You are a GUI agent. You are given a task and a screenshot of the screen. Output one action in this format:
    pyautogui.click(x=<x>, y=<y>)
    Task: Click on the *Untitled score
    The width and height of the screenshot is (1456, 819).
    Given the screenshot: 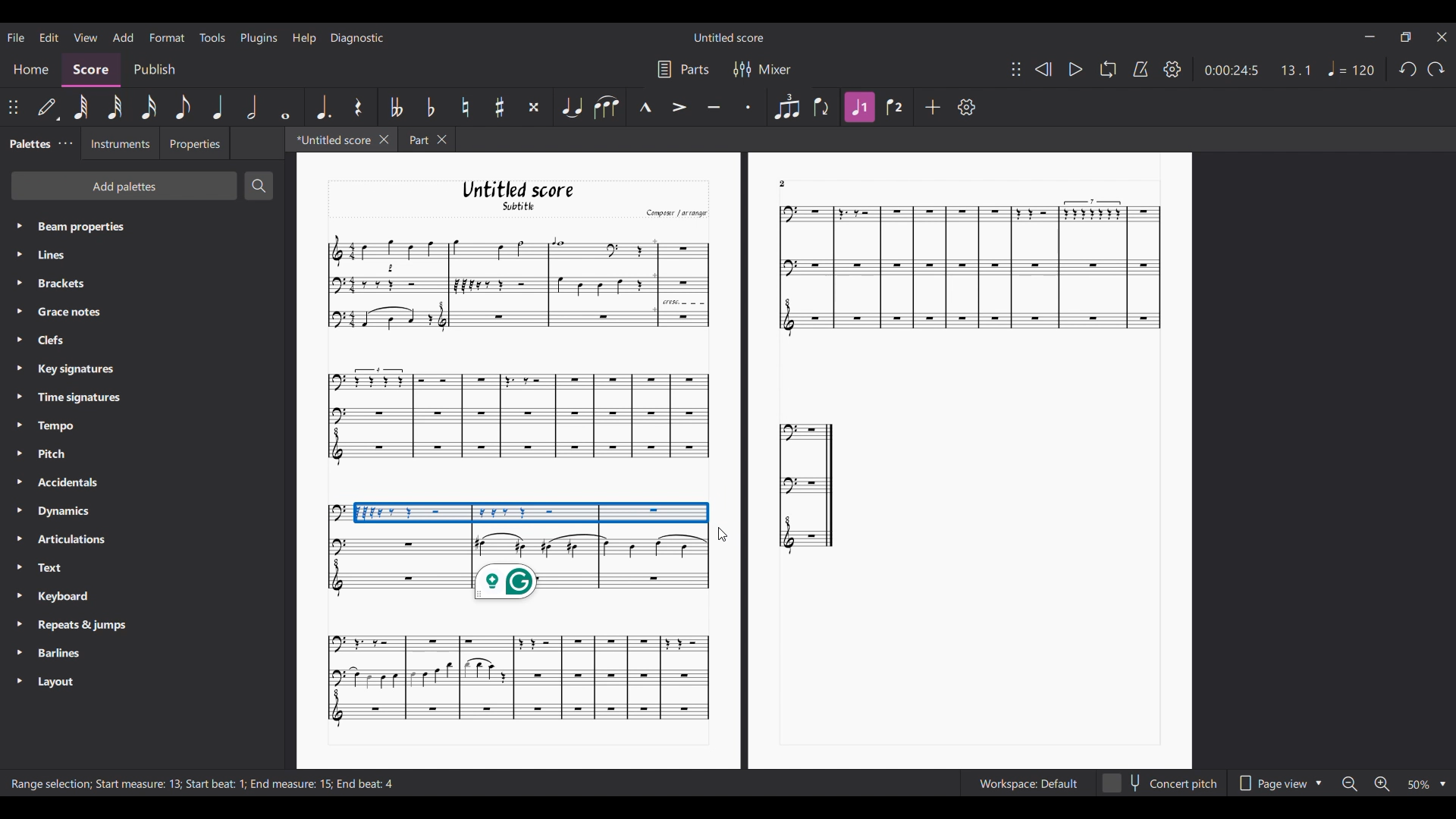 What is the action you would take?
    pyautogui.click(x=328, y=139)
    